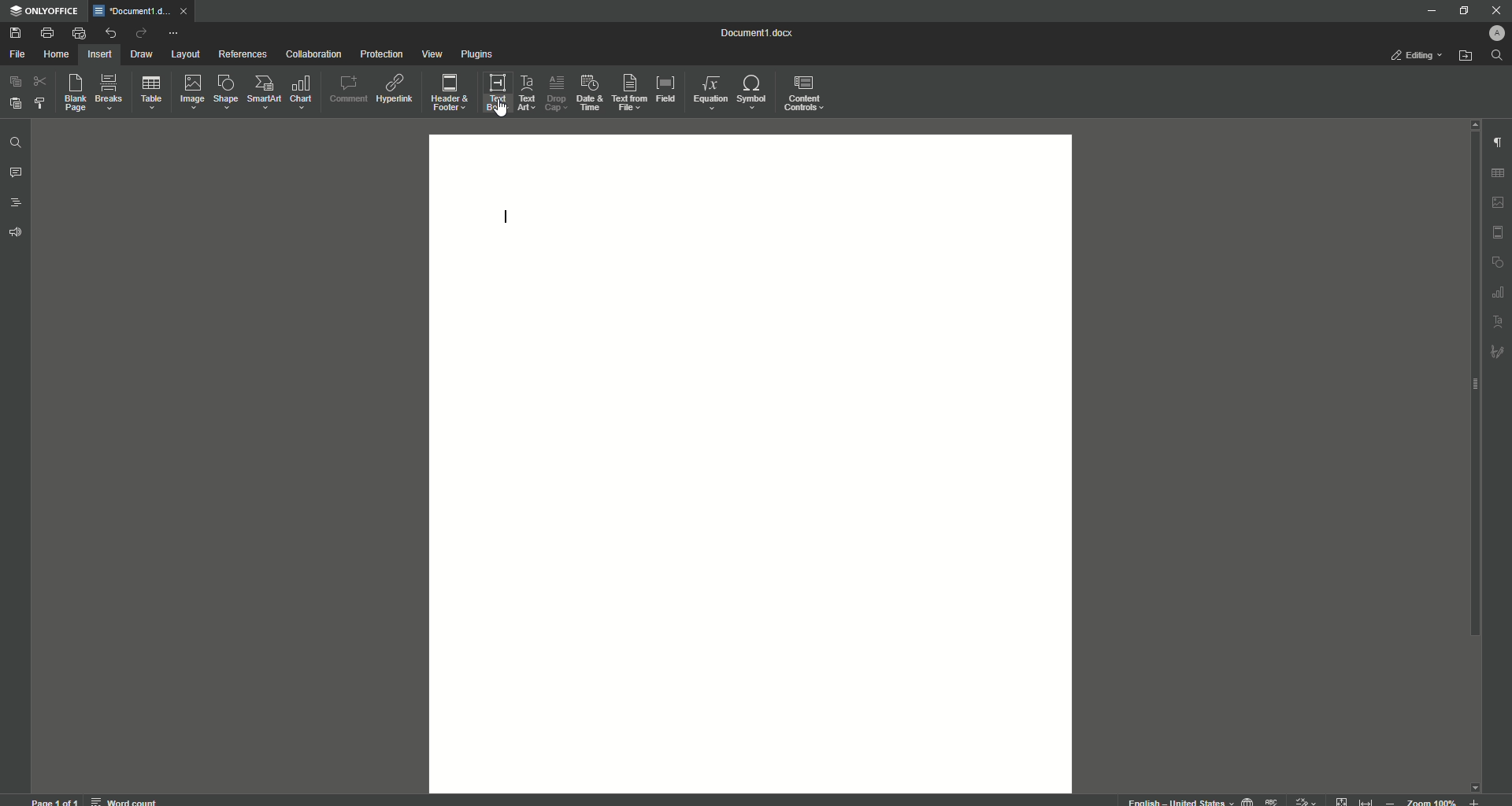 This screenshot has height=806, width=1512. What do you see at coordinates (1474, 783) in the screenshot?
I see `scroll down` at bounding box center [1474, 783].